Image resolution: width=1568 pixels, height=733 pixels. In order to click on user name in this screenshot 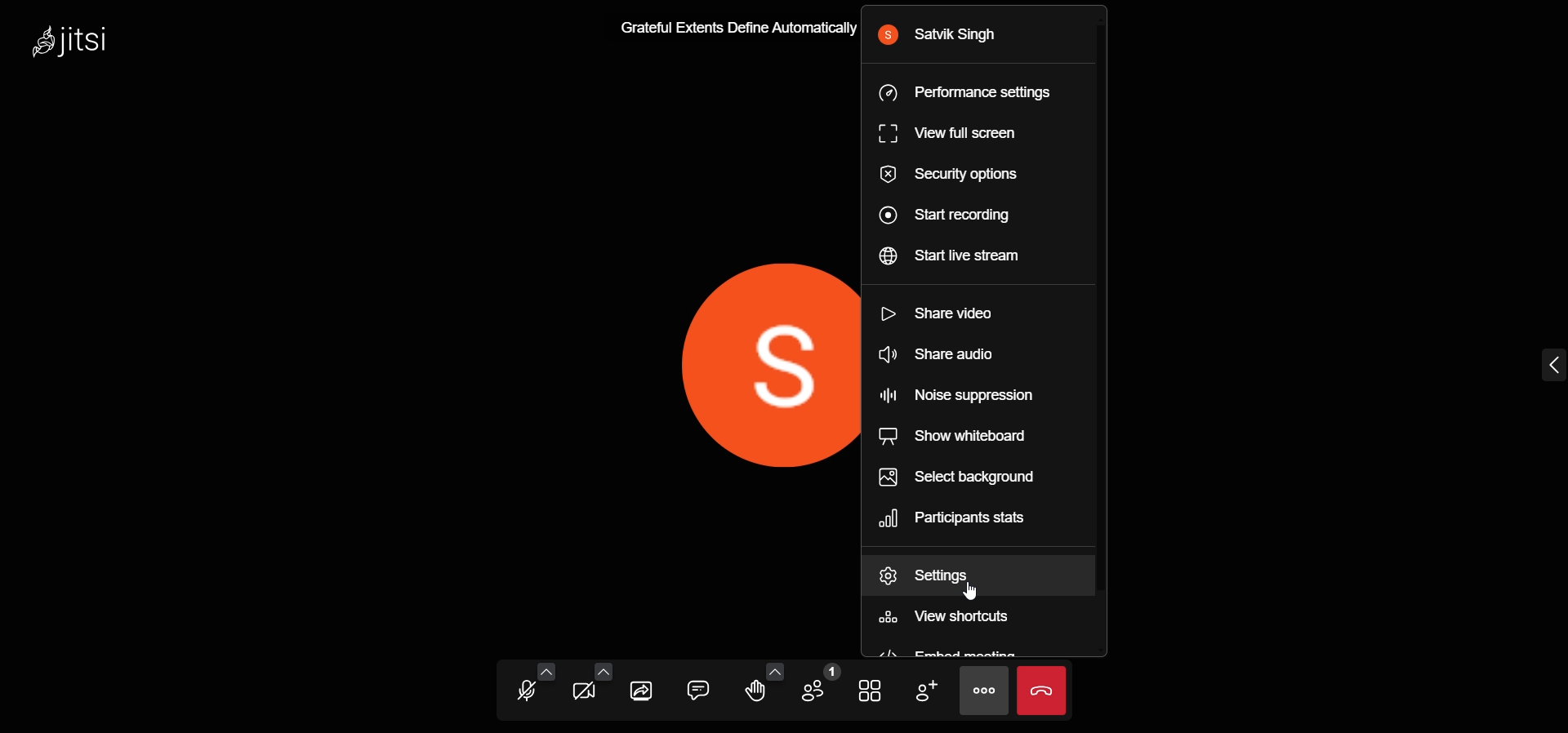, I will do `click(941, 35)`.